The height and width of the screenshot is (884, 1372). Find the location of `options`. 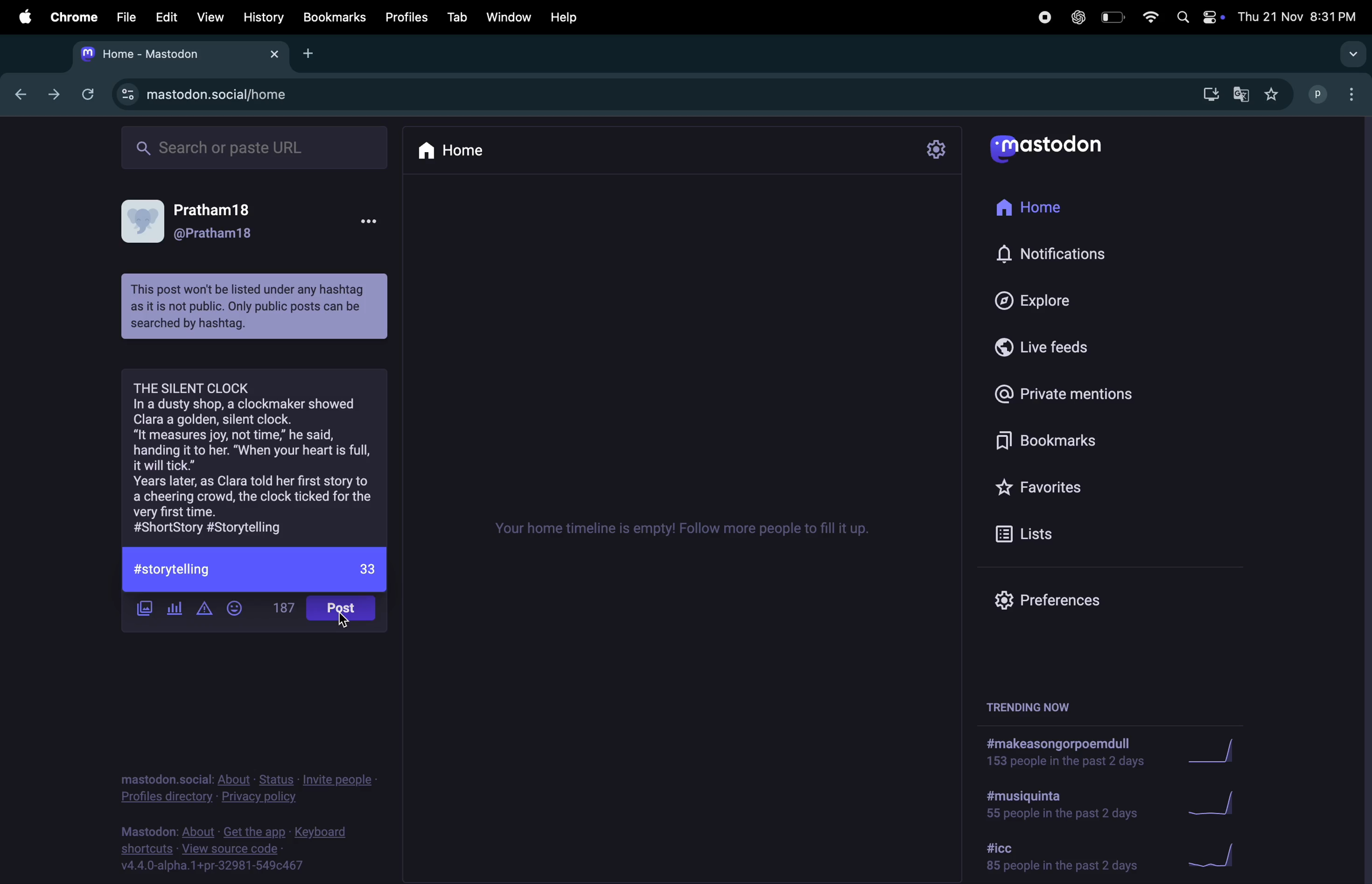

options is located at coordinates (1356, 95).